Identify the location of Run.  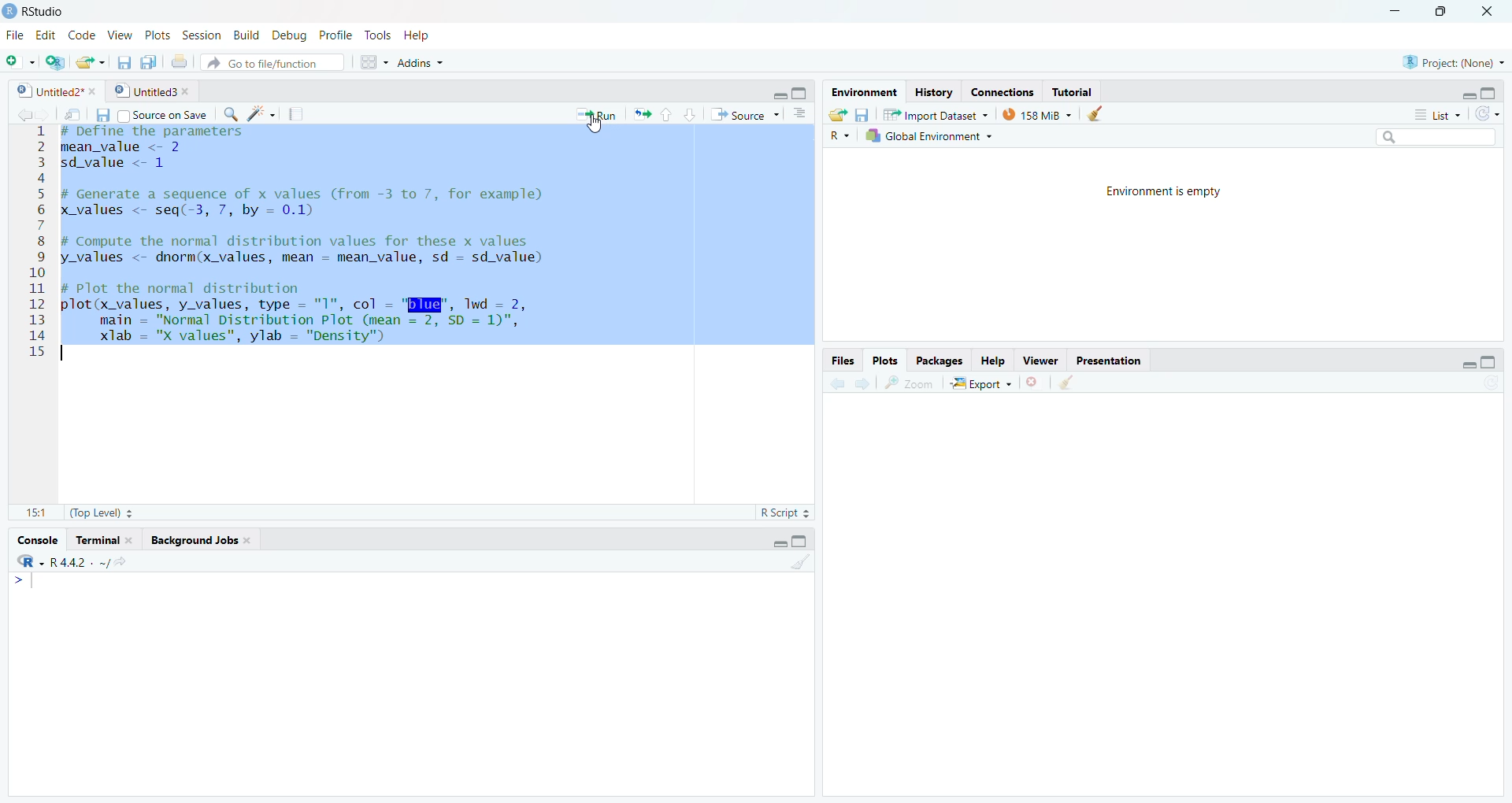
(595, 114).